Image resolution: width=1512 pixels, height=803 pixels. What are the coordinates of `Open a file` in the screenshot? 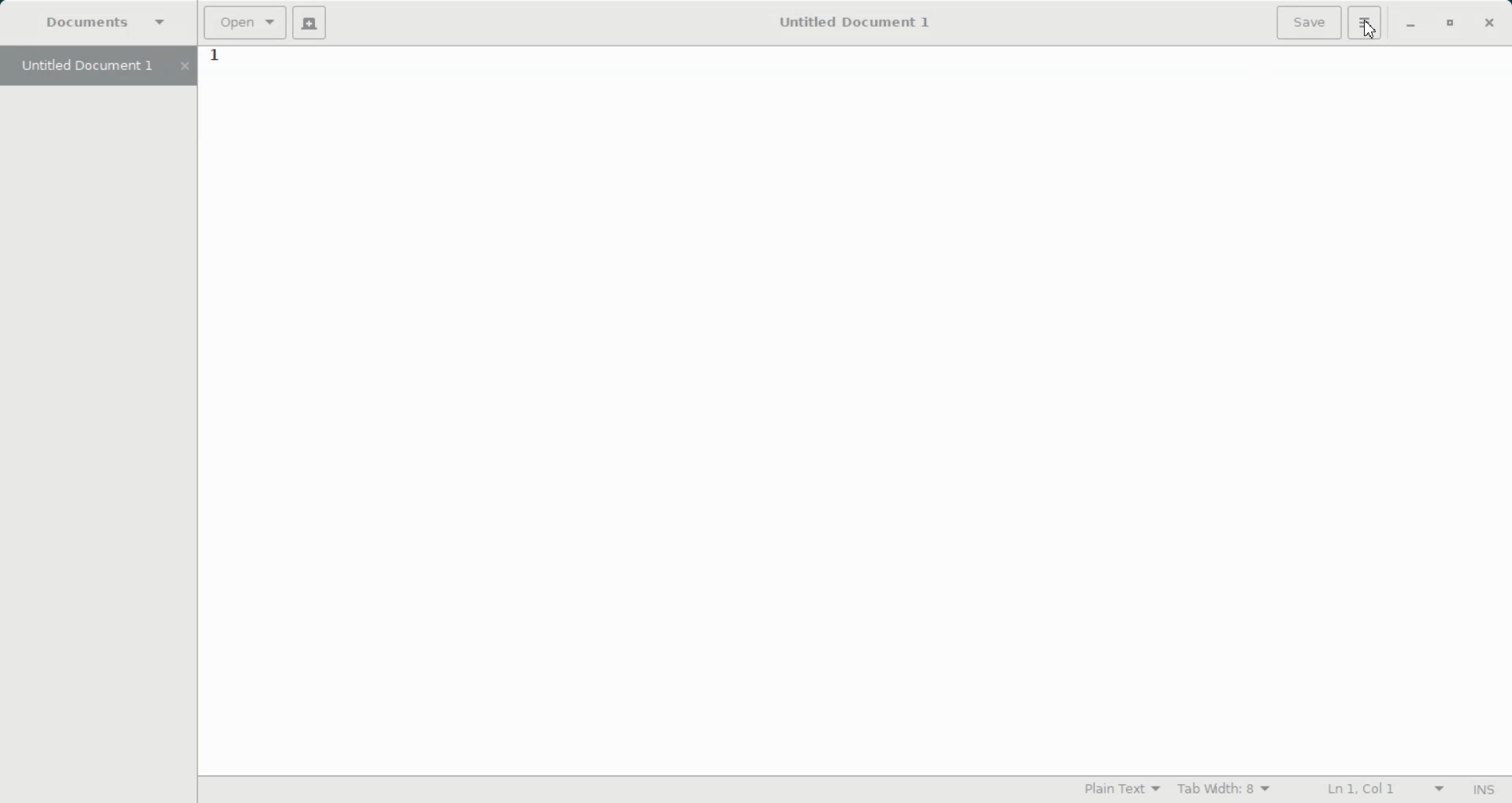 It's located at (246, 23).